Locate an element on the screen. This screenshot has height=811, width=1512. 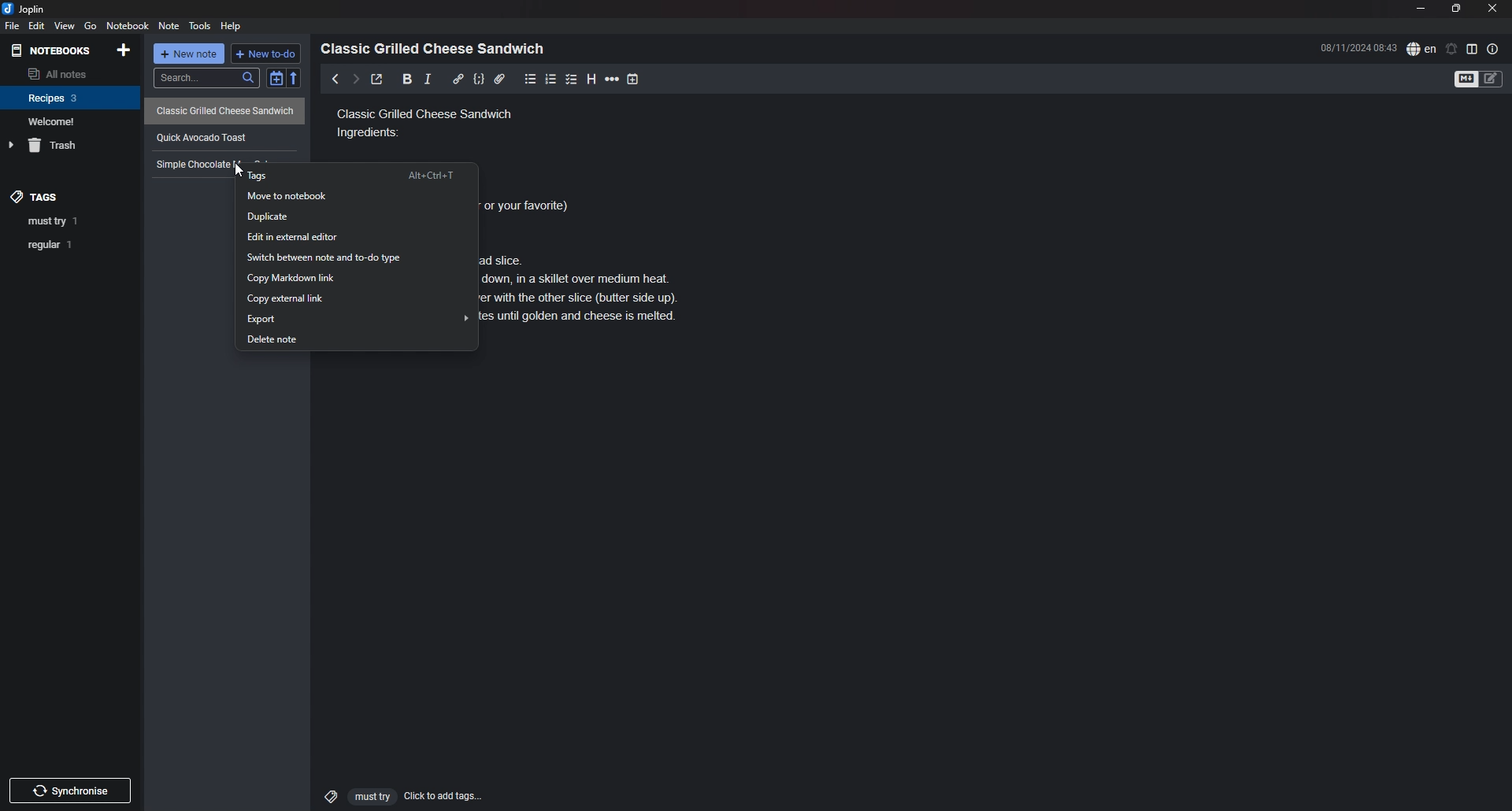
spell check is located at coordinates (1421, 48).